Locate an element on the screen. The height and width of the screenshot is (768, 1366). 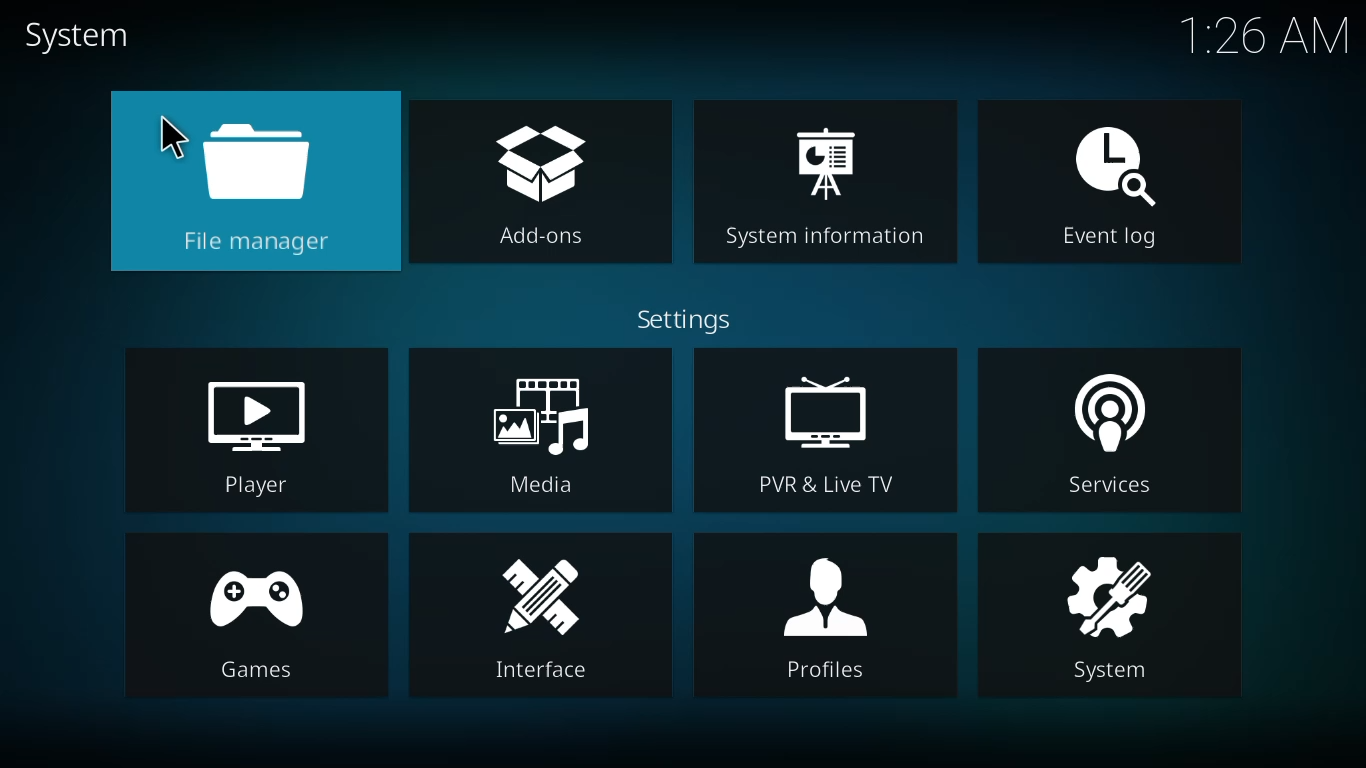
time is located at coordinates (1265, 39).